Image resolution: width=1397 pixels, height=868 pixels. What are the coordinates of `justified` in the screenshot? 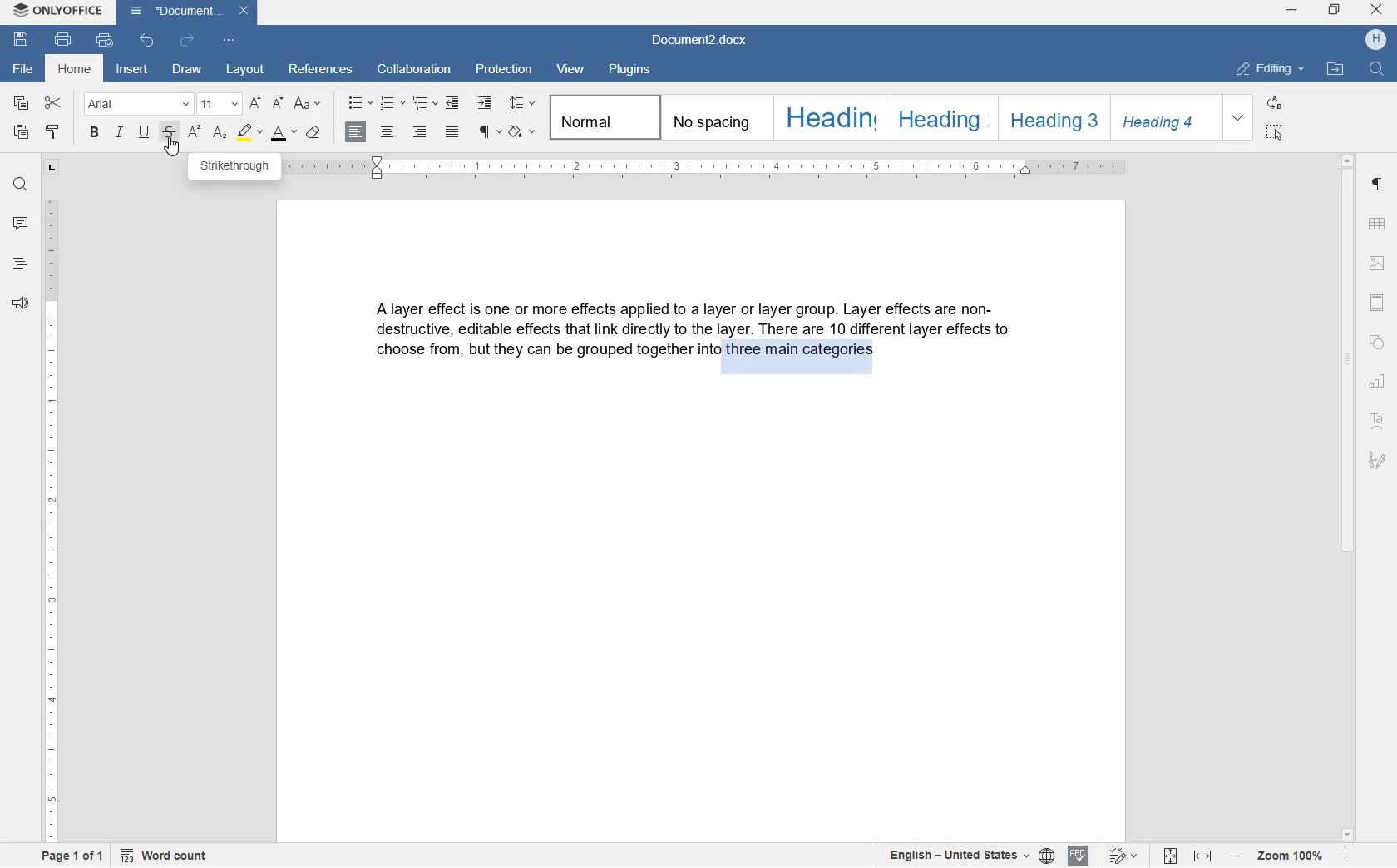 It's located at (452, 132).